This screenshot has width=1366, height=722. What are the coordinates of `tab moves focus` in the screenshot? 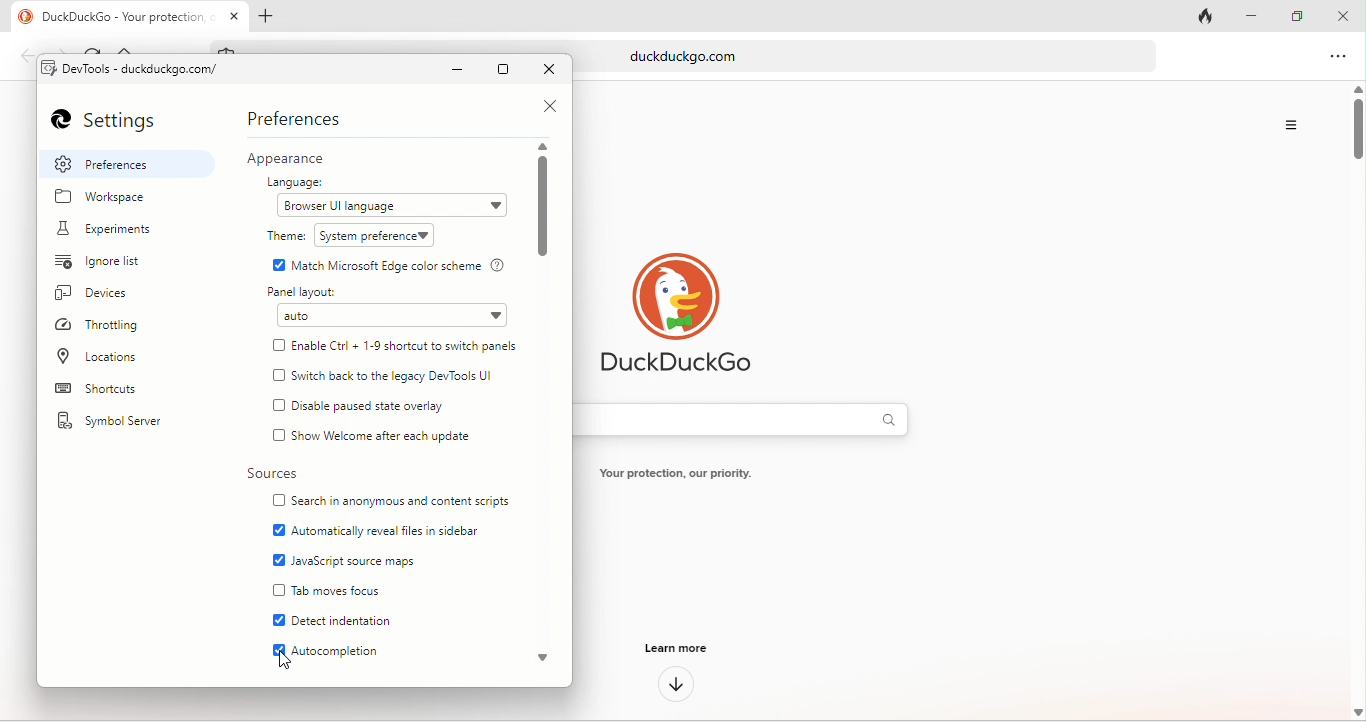 It's located at (342, 590).